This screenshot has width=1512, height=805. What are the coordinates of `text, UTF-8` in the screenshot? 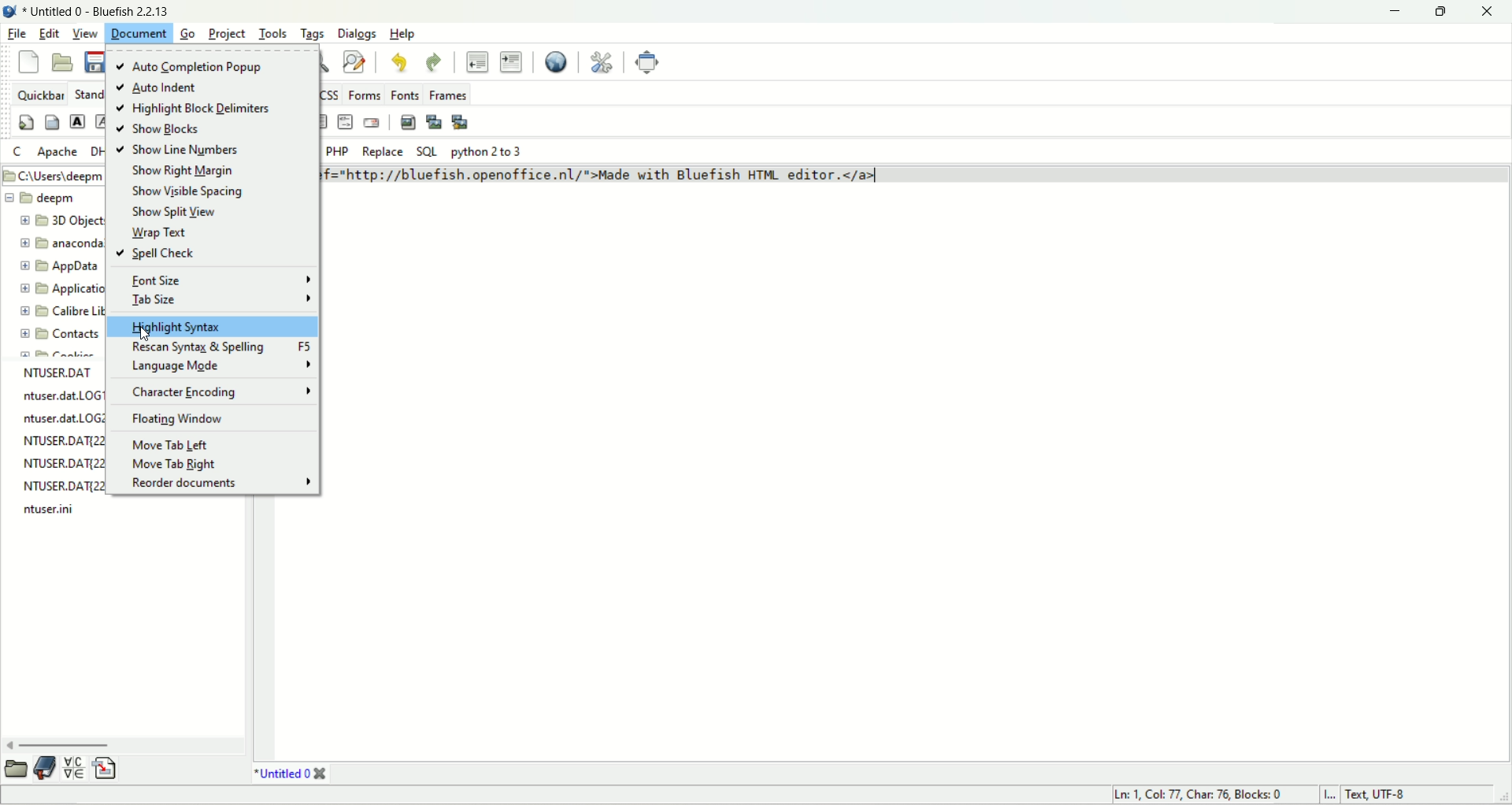 It's located at (1388, 796).